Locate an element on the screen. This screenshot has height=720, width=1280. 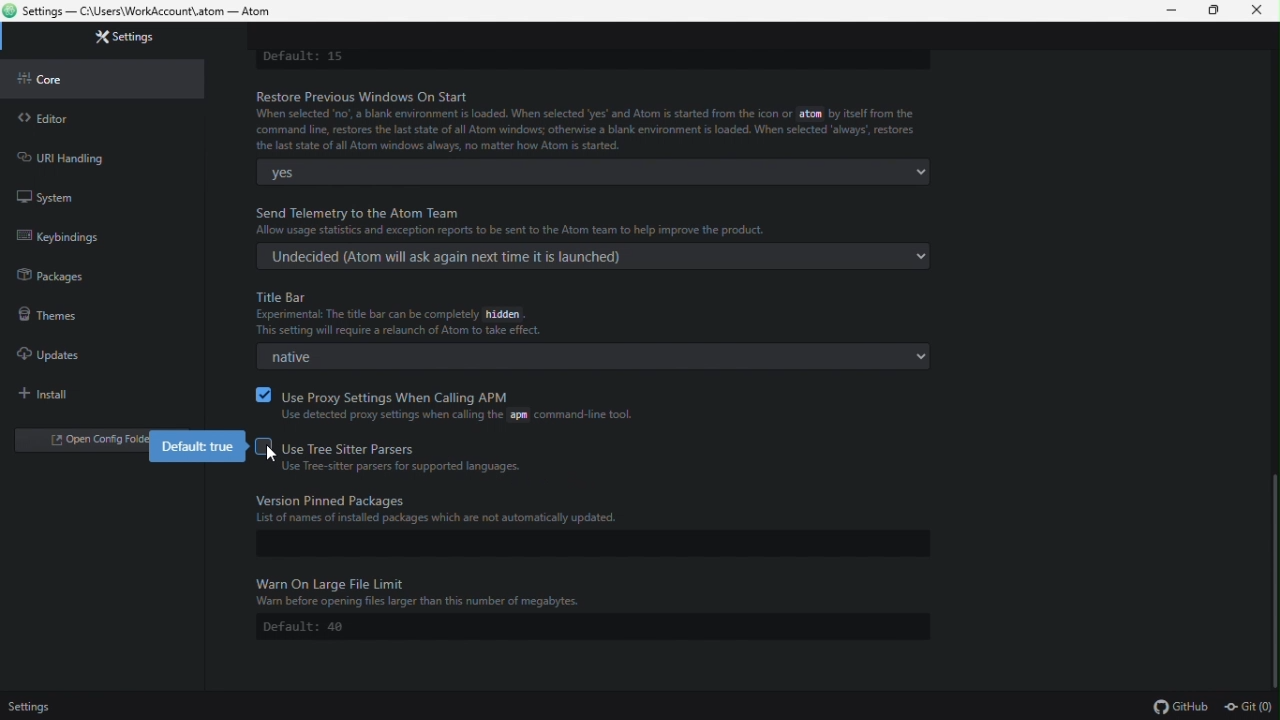
checkbox is located at coordinates (261, 394).